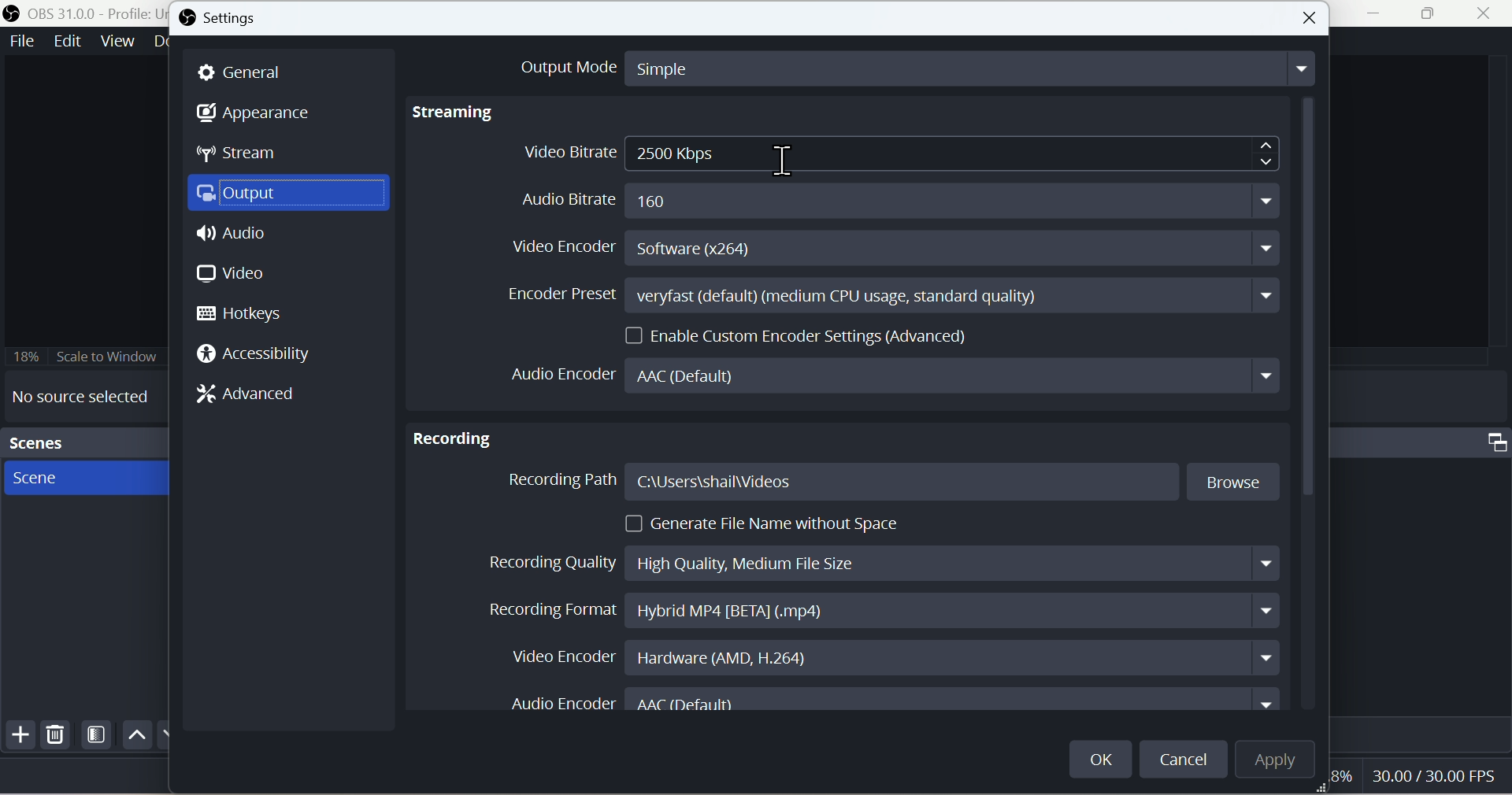 The image size is (1512, 795). Describe the element at coordinates (458, 113) in the screenshot. I see `Streaming` at that location.